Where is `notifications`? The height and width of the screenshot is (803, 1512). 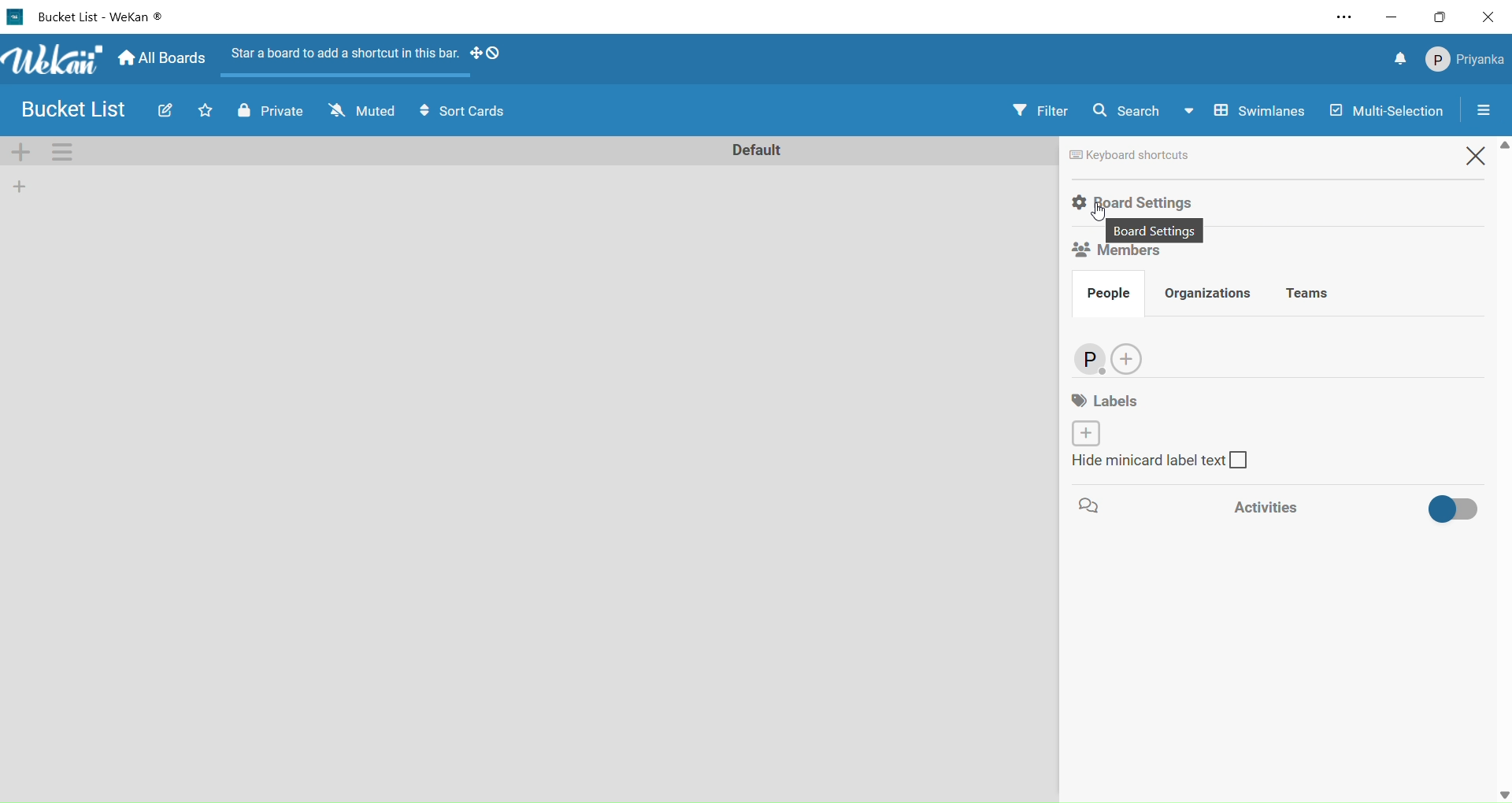
notifications is located at coordinates (1400, 58).